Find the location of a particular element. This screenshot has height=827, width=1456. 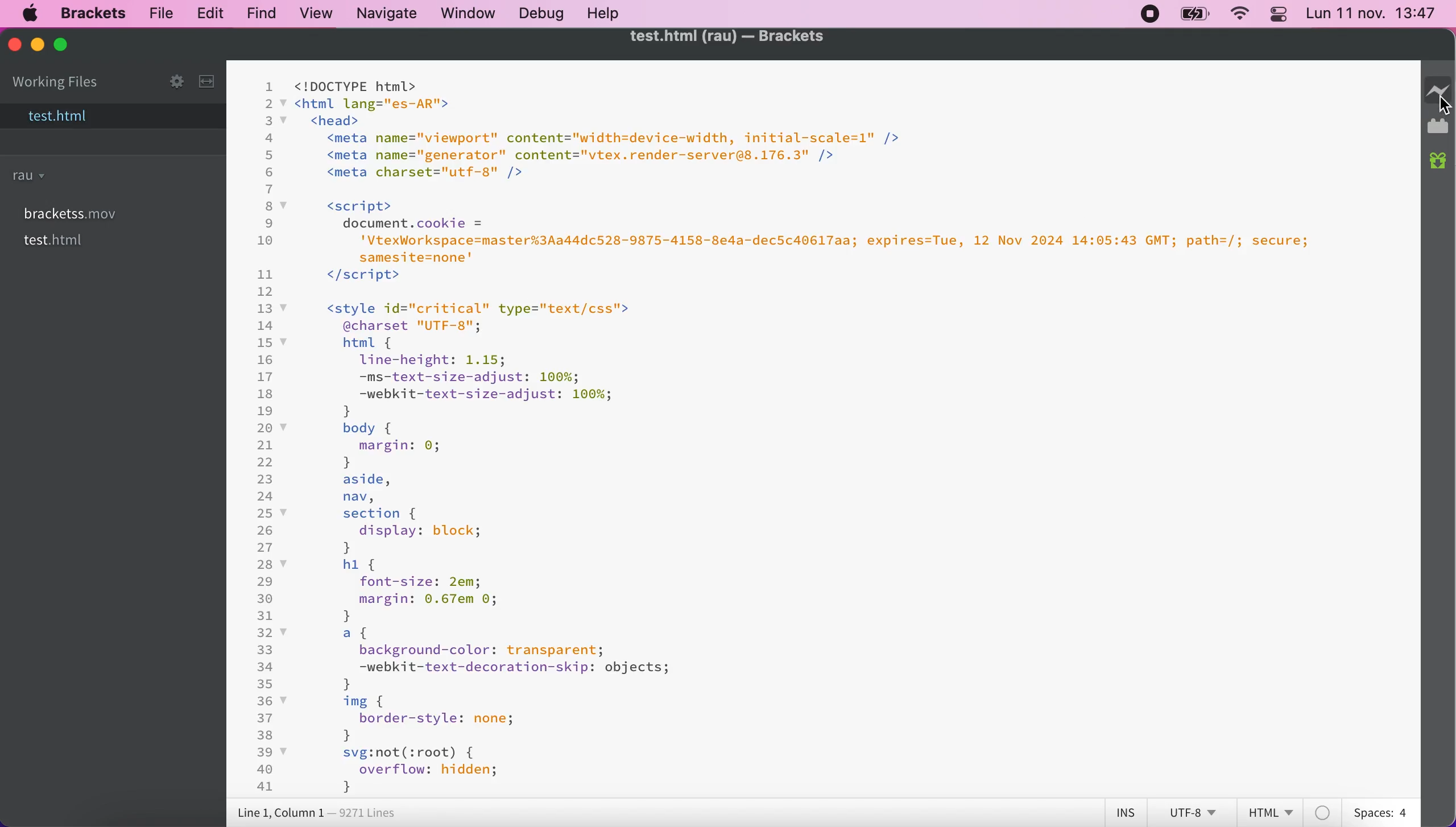

recording stopped is located at coordinates (1148, 15).